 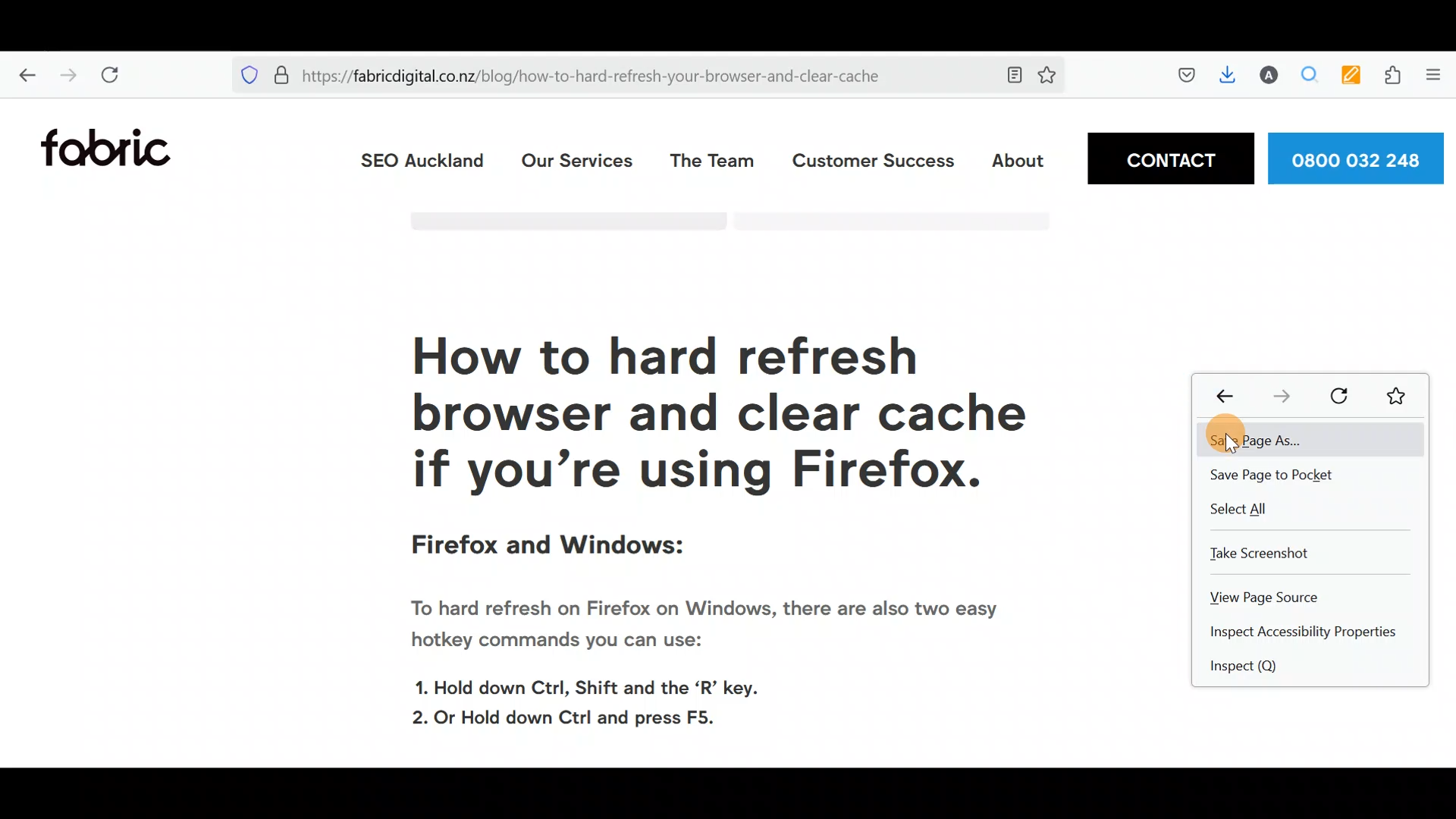 I want to click on Bookmark this page, so click(x=1053, y=77).